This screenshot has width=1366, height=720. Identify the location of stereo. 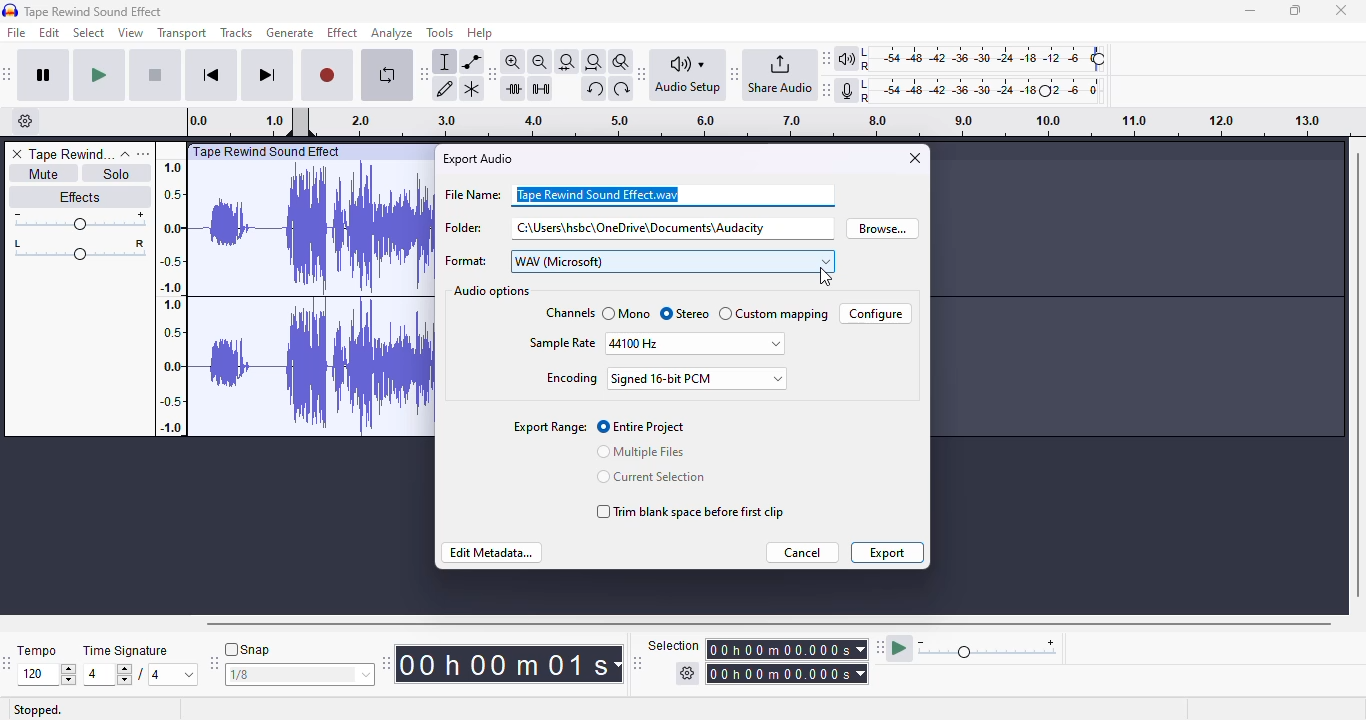
(706, 314).